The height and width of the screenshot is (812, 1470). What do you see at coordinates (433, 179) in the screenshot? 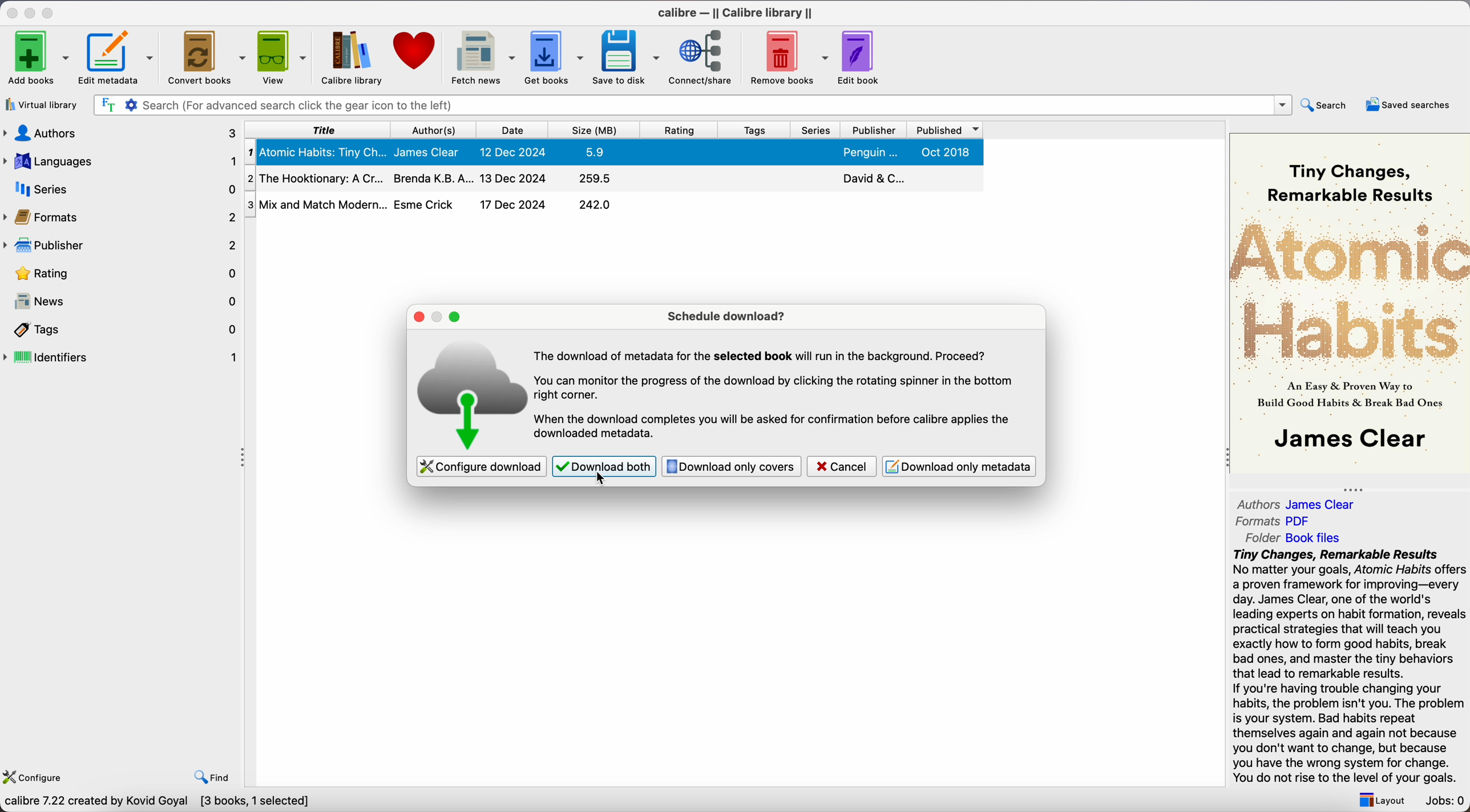
I see `Brenda K.B.A...` at bounding box center [433, 179].